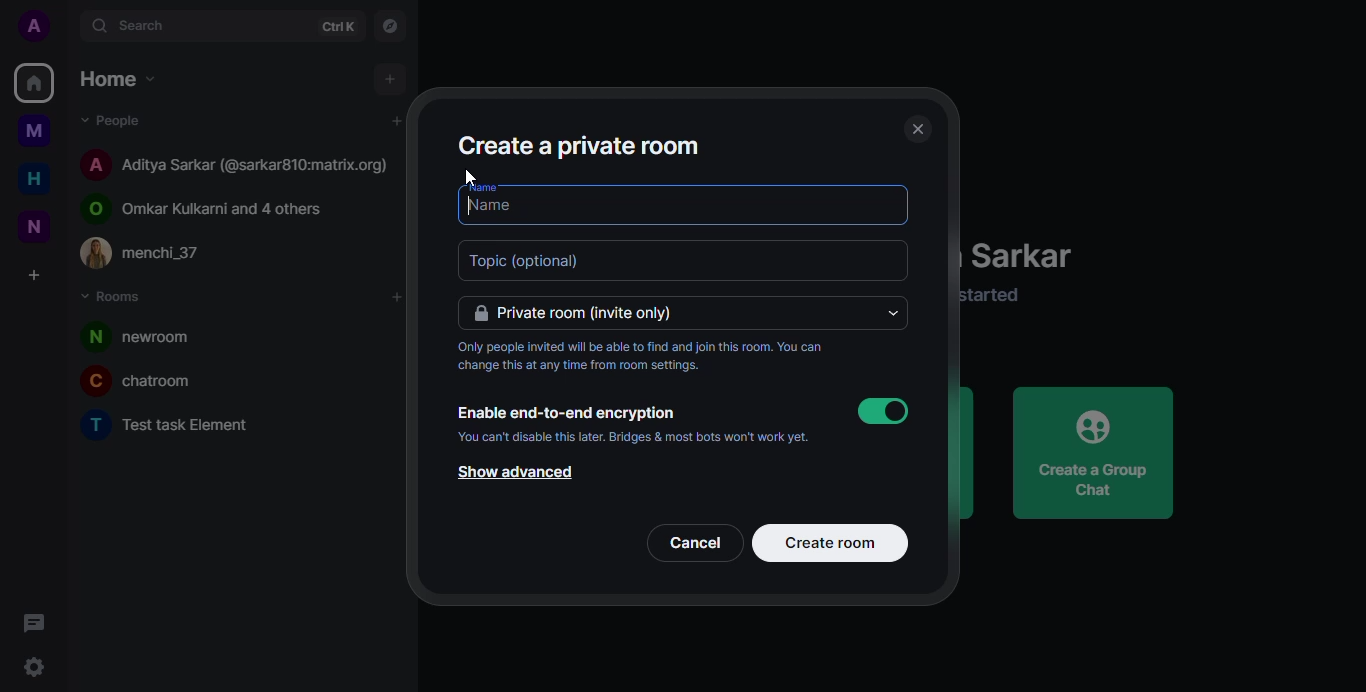  Describe the element at coordinates (31, 227) in the screenshot. I see `new` at that location.